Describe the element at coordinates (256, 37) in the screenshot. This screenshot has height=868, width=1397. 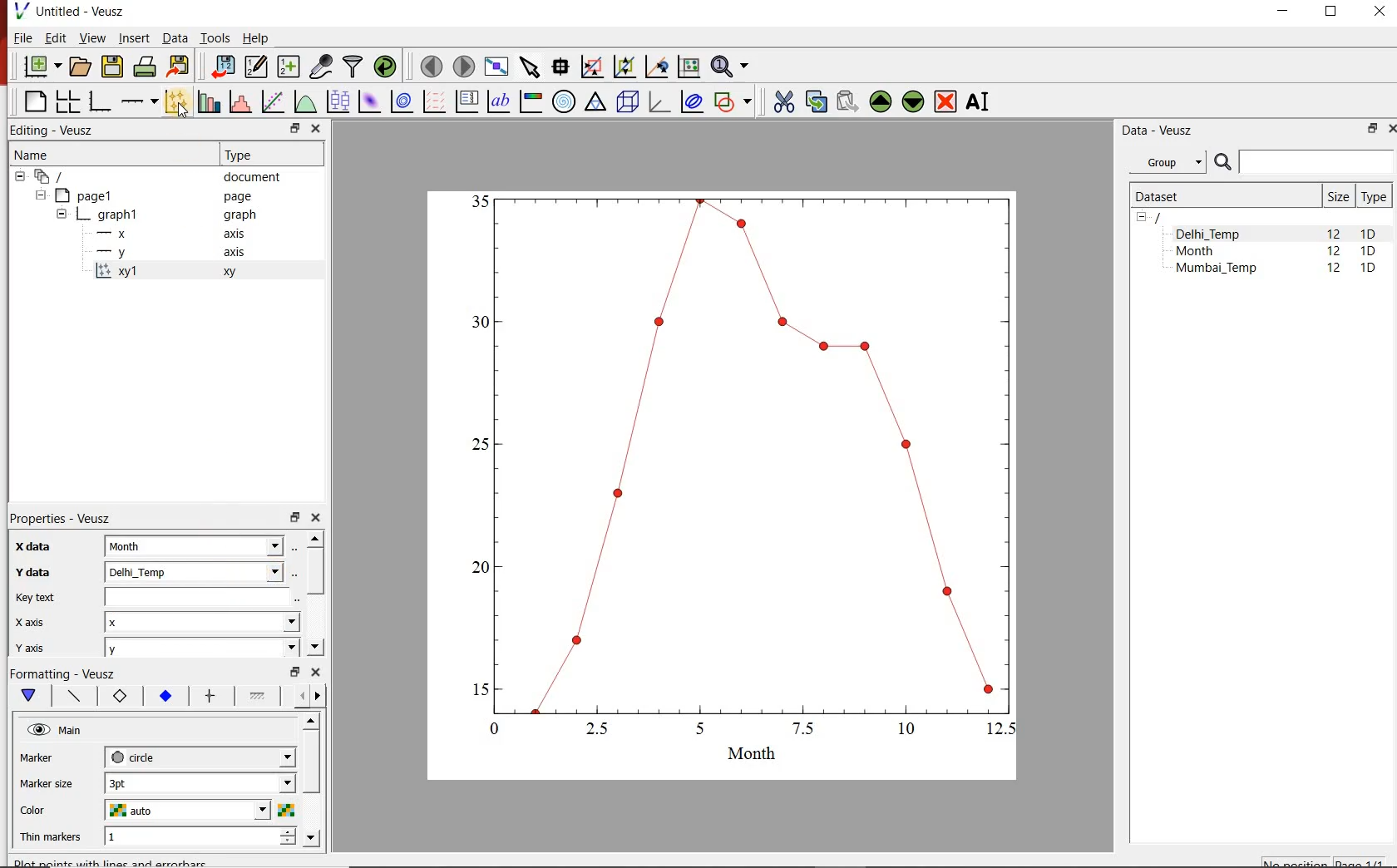
I see `Help` at that location.